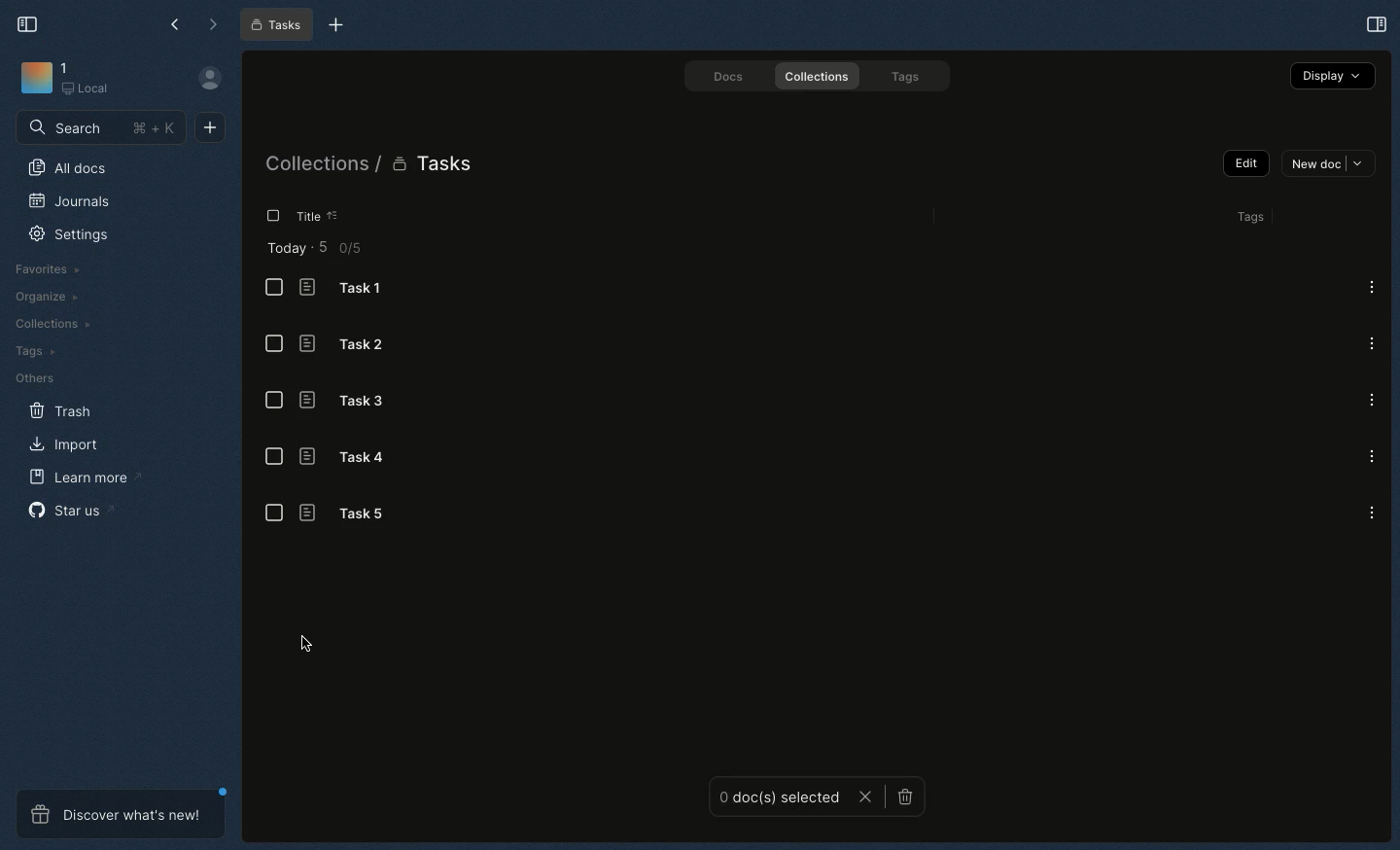 The image size is (1400, 850). What do you see at coordinates (1372, 341) in the screenshot?
I see `Options` at bounding box center [1372, 341].